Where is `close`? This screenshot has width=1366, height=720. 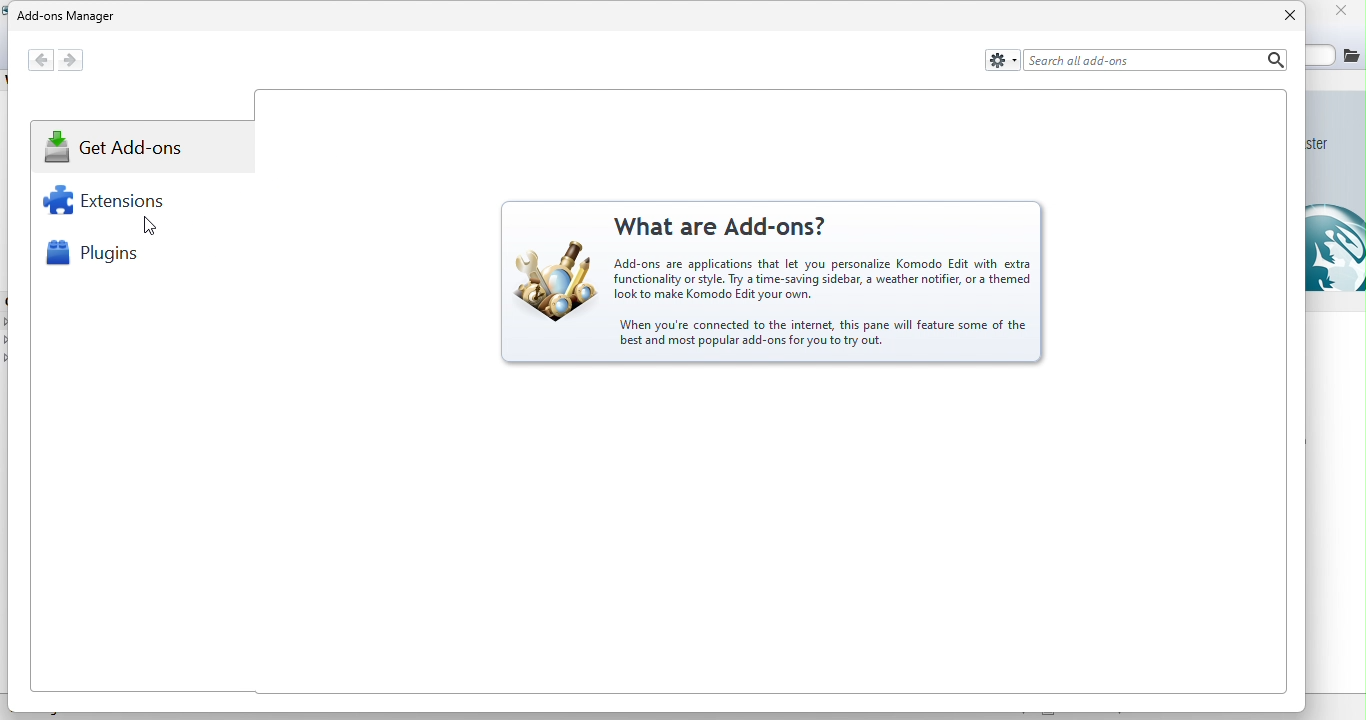 close is located at coordinates (1280, 15).